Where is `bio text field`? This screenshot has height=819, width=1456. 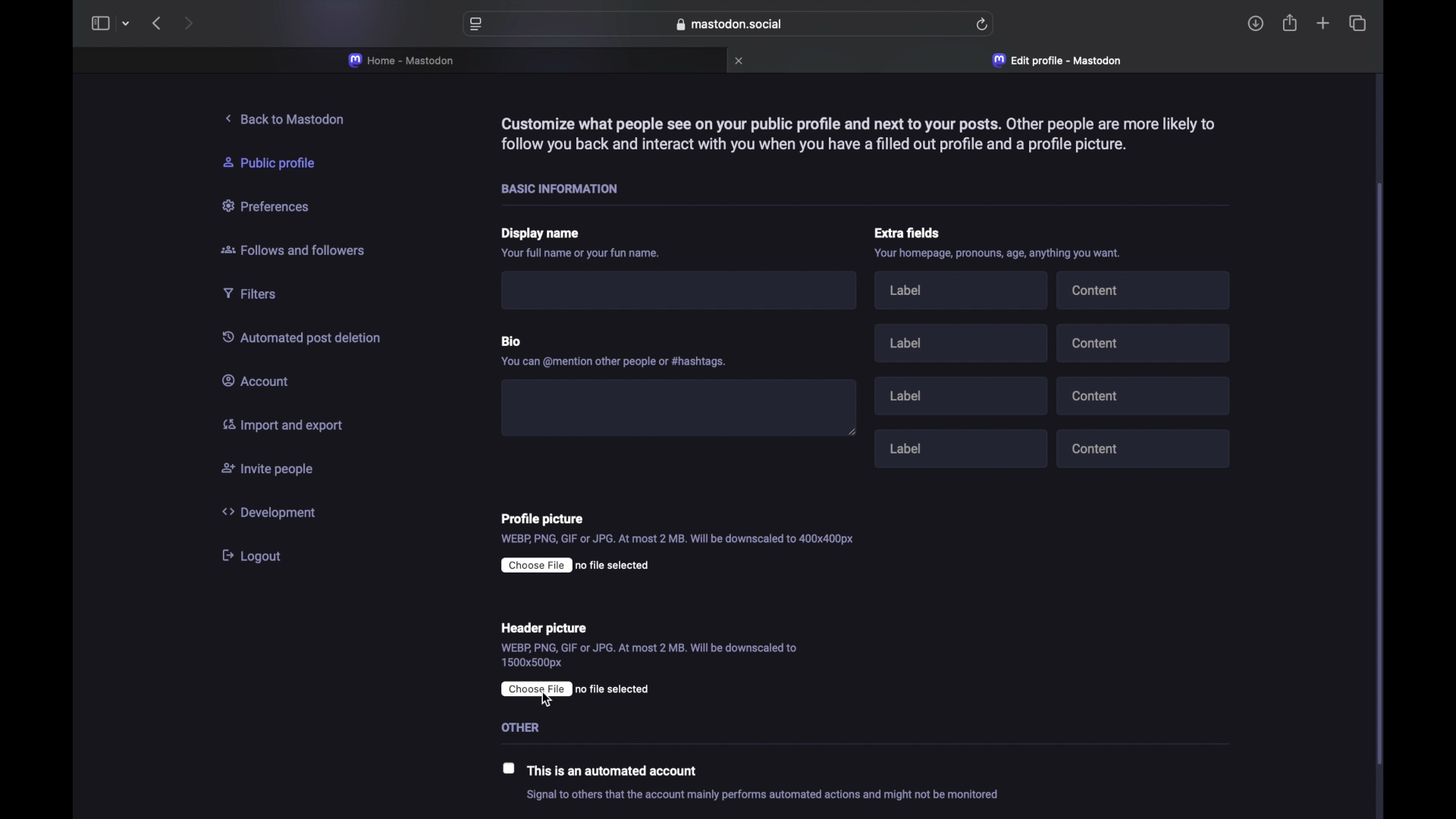 bio text field is located at coordinates (679, 403).